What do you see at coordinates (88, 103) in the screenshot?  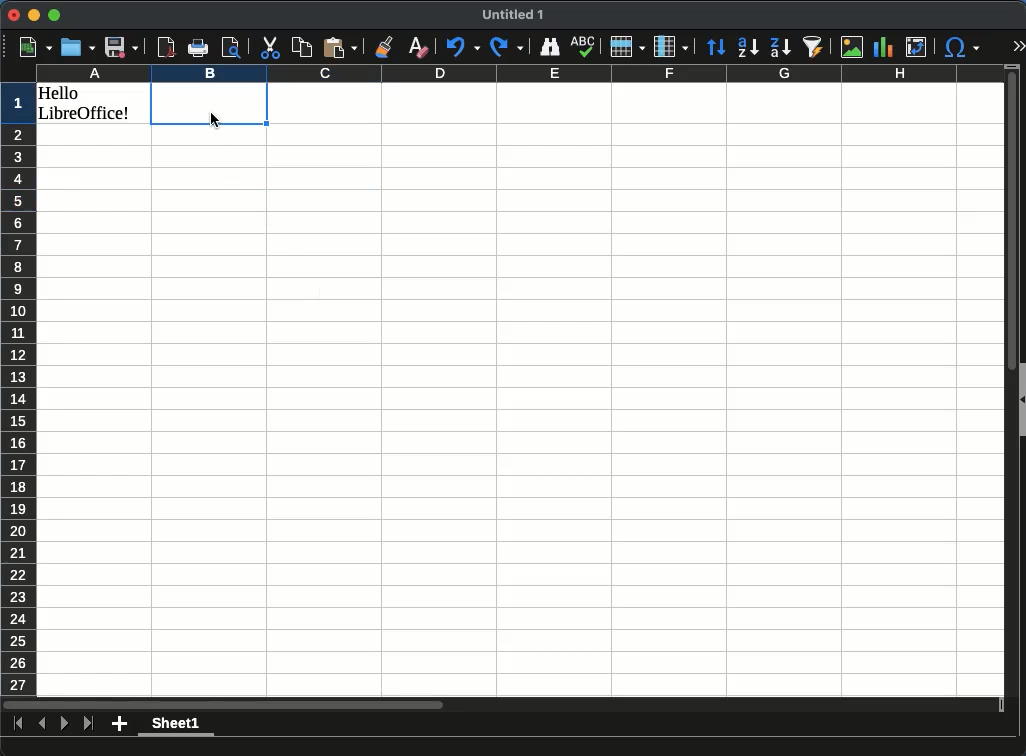 I see `hello libreoffice!` at bounding box center [88, 103].